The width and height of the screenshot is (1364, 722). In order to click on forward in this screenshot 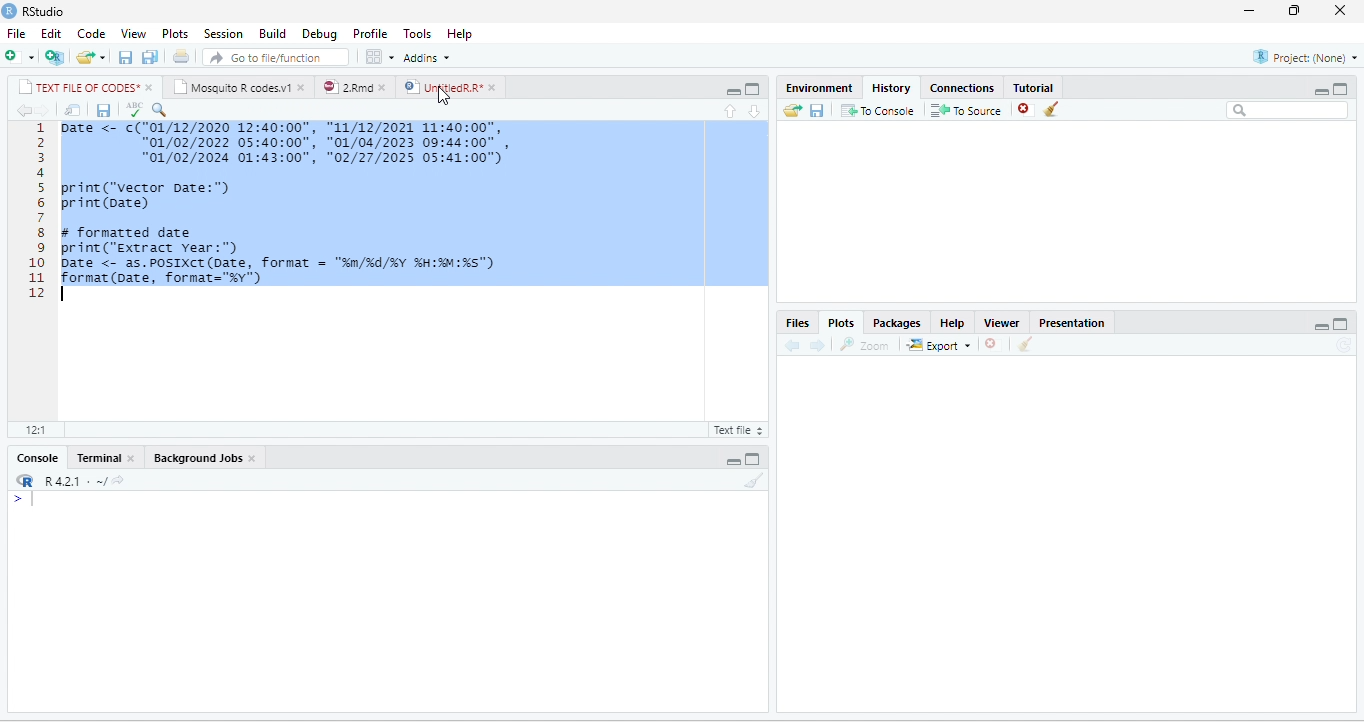, I will do `click(43, 110)`.